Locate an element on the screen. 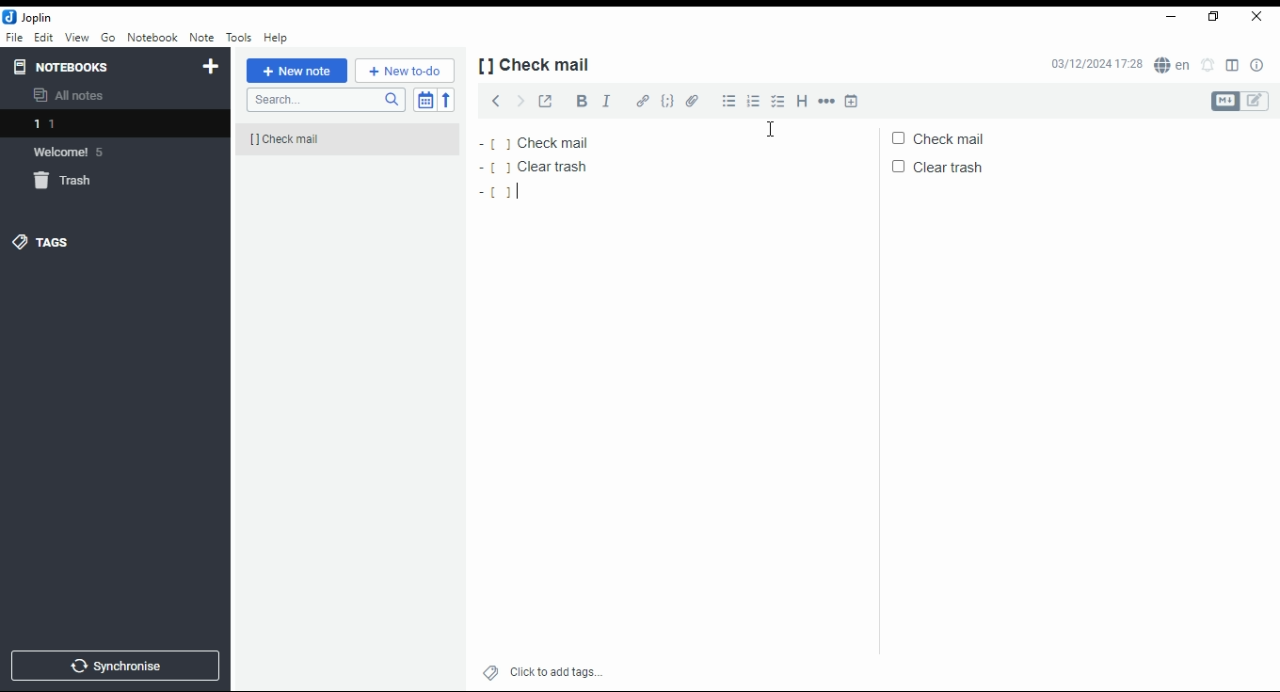 This screenshot has width=1280, height=692. horizontal rule is located at coordinates (827, 101).